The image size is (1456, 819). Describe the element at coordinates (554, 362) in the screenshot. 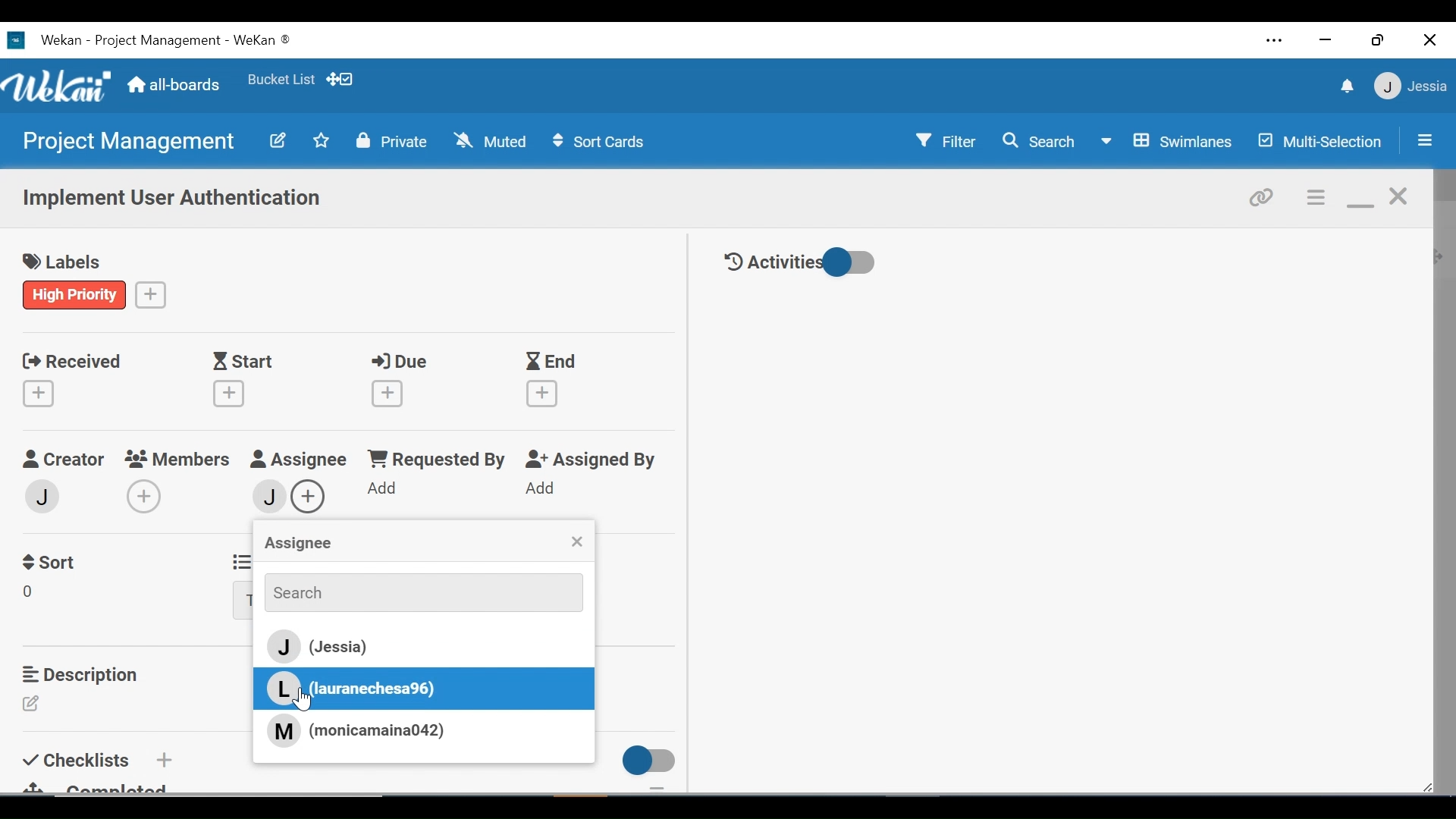

I see `End Date` at that location.